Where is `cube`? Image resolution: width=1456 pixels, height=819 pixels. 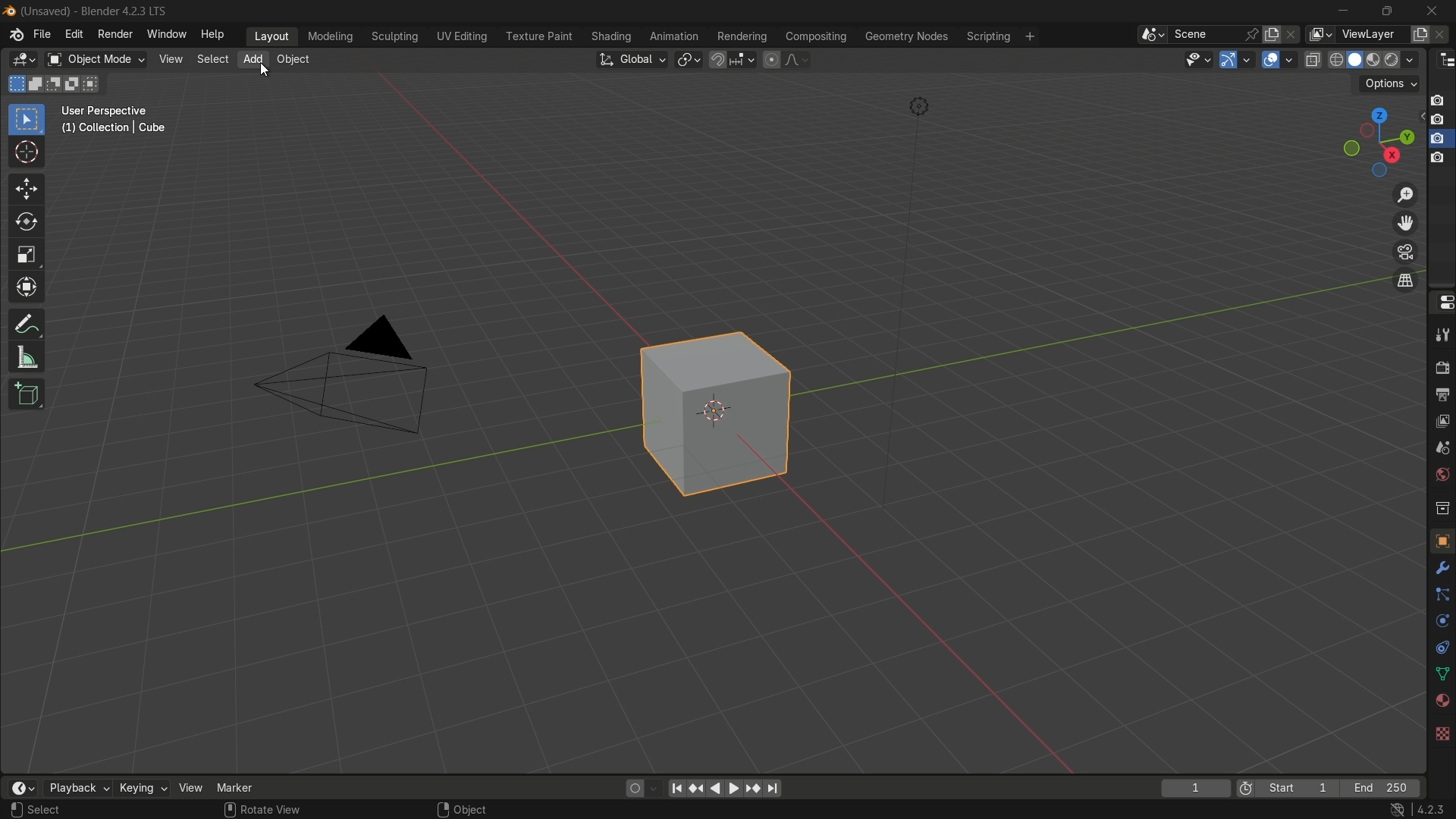 cube is located at coordinates (720, 409).